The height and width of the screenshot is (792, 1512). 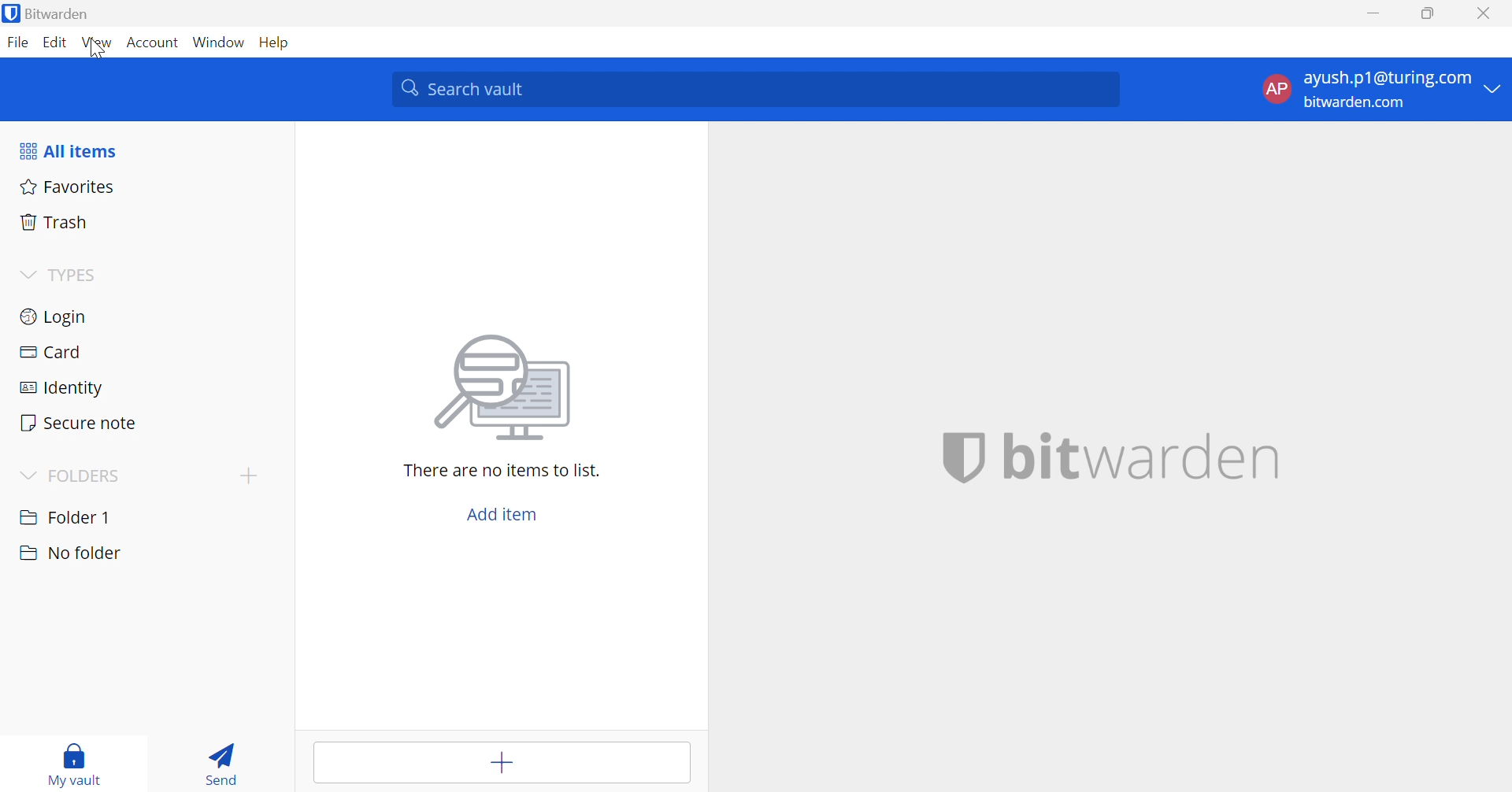 I want to click on Add item, so click(x=502, y=764).